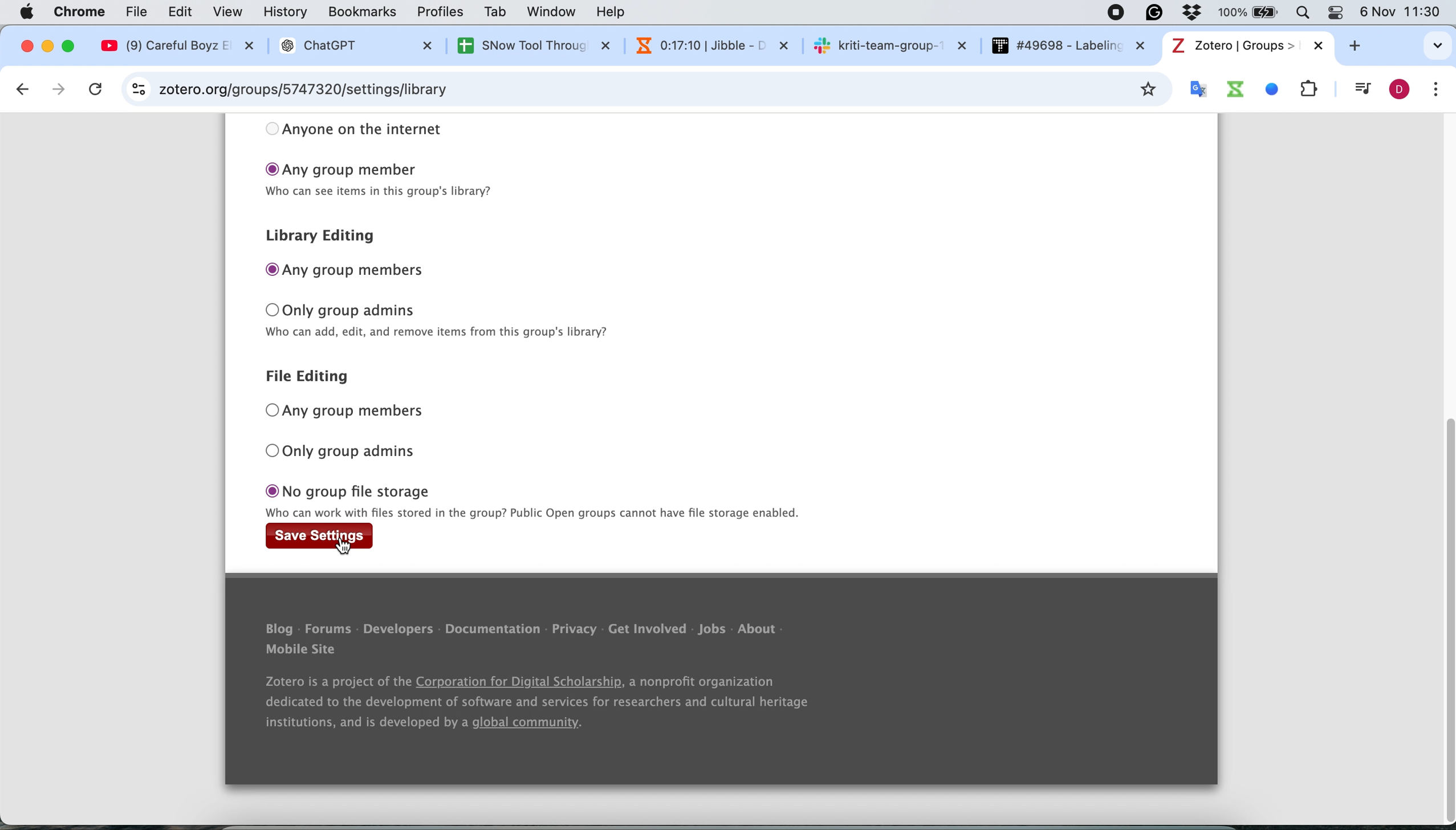 Image resolution: width=1456 pixels, height=830 pixels. Describe the element at coordinates (1333, 11) in the screenshot. I see `Theme change` at that location.